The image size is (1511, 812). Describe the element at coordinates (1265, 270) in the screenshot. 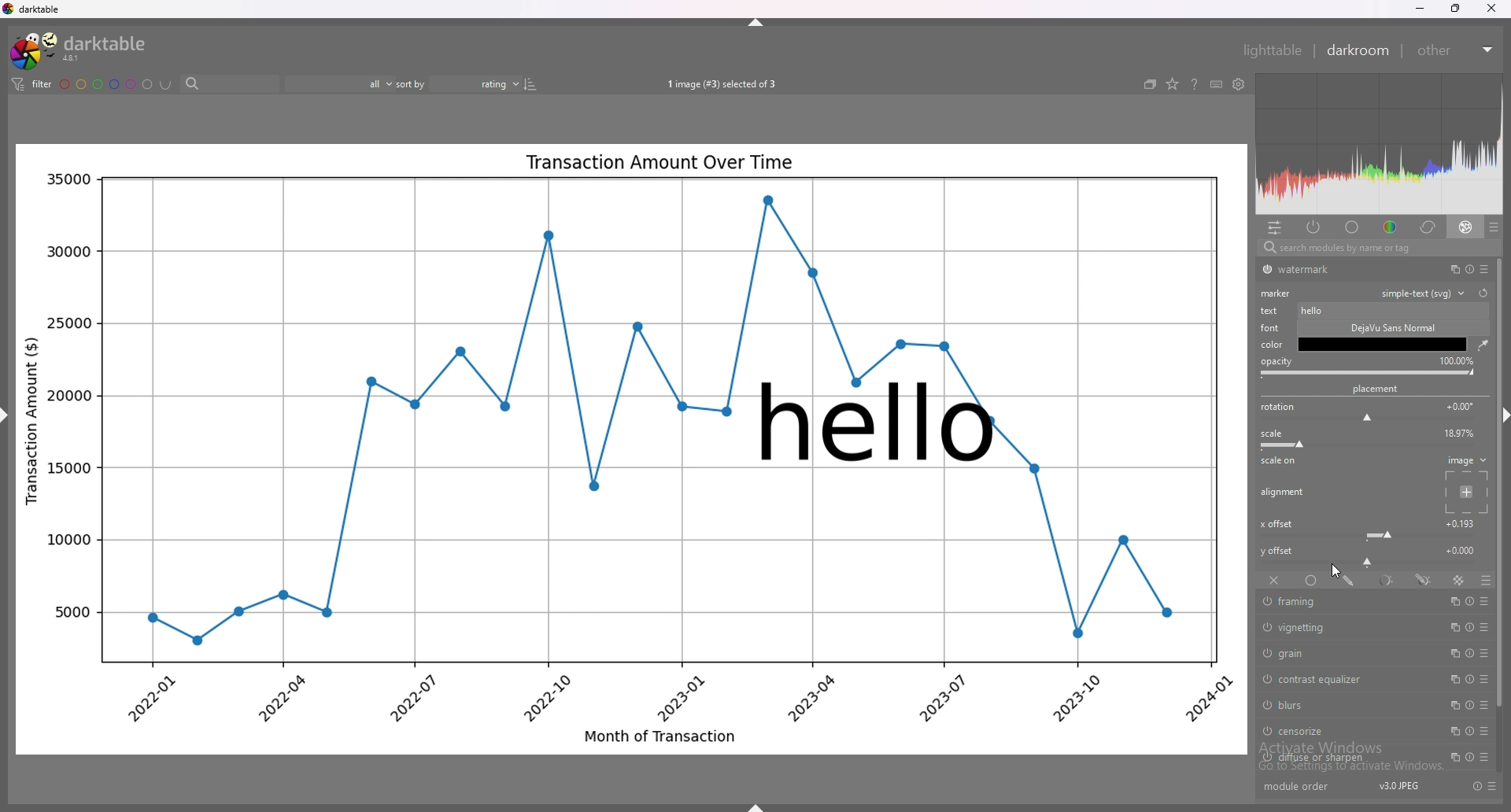

I see `switch off` at that location.